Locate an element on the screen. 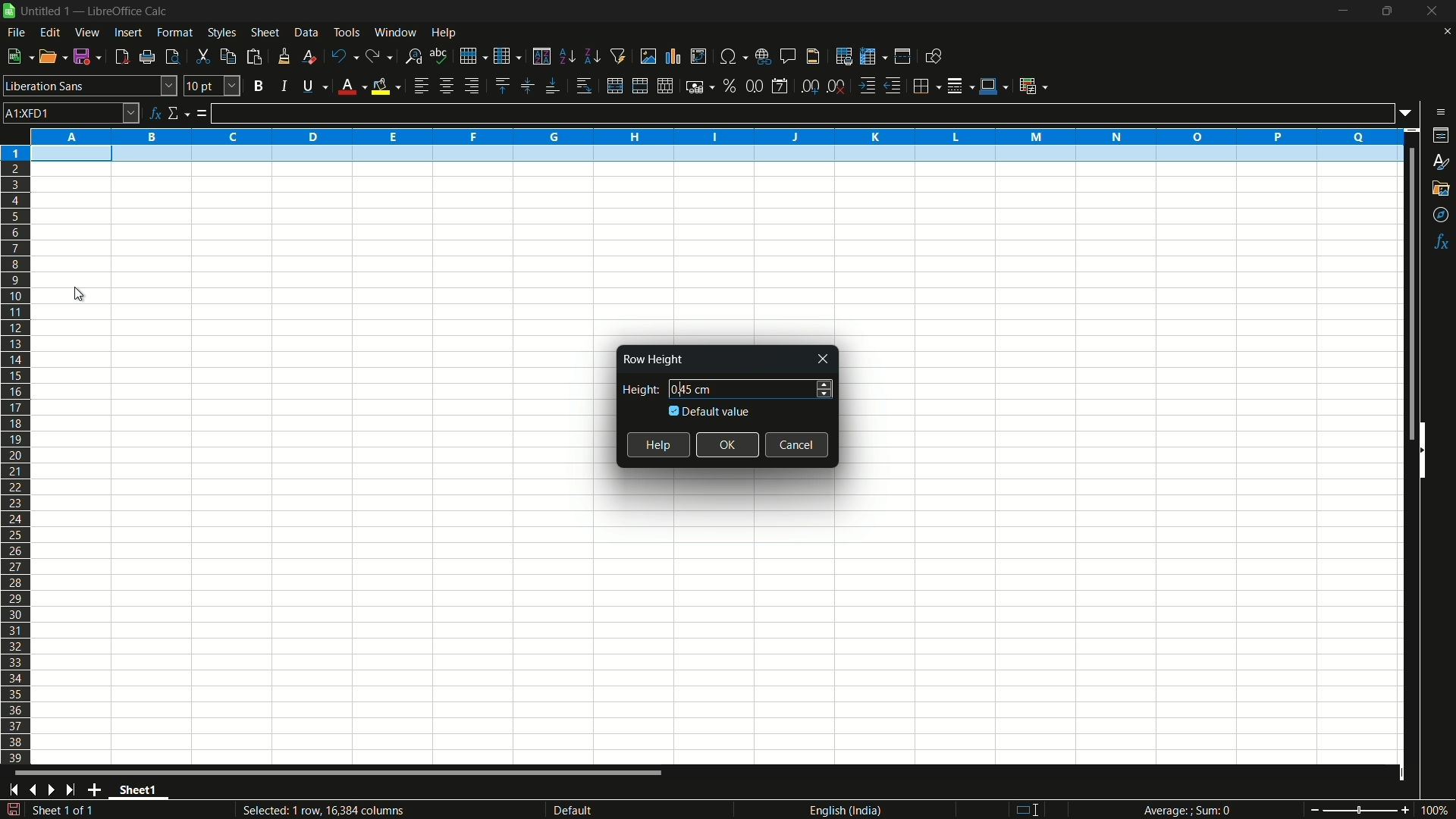 The width and height of the screenshot is (1456, 819). current zoom 100% is located at coordinates (1437, 810).